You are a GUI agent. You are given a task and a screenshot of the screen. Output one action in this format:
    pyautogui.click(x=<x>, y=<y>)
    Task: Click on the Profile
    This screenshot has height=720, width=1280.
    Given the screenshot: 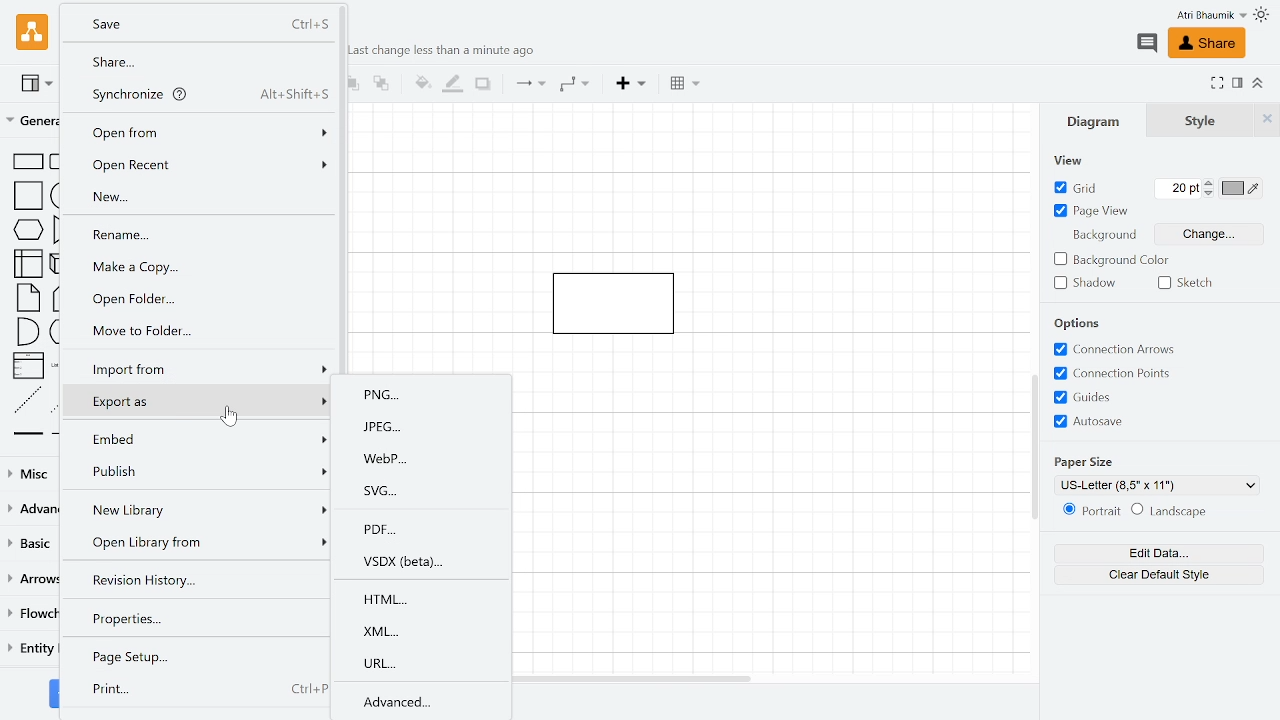 What is the action you would take?
    pyautogui.click(x=1194, y=16)
    